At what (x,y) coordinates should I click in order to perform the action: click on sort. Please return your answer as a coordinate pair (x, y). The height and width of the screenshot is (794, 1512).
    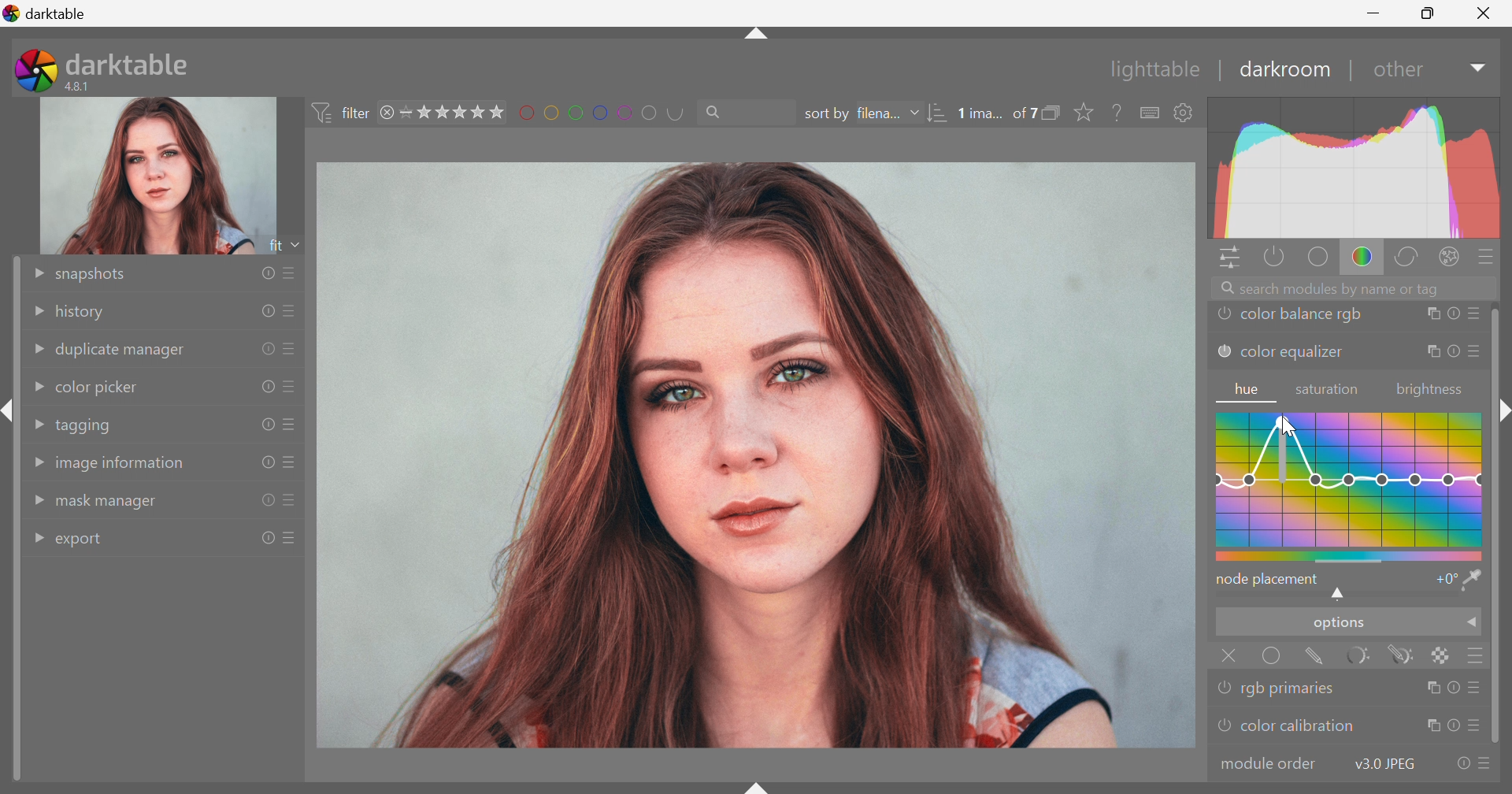
    Looking at the image, I should click on (937, 114).